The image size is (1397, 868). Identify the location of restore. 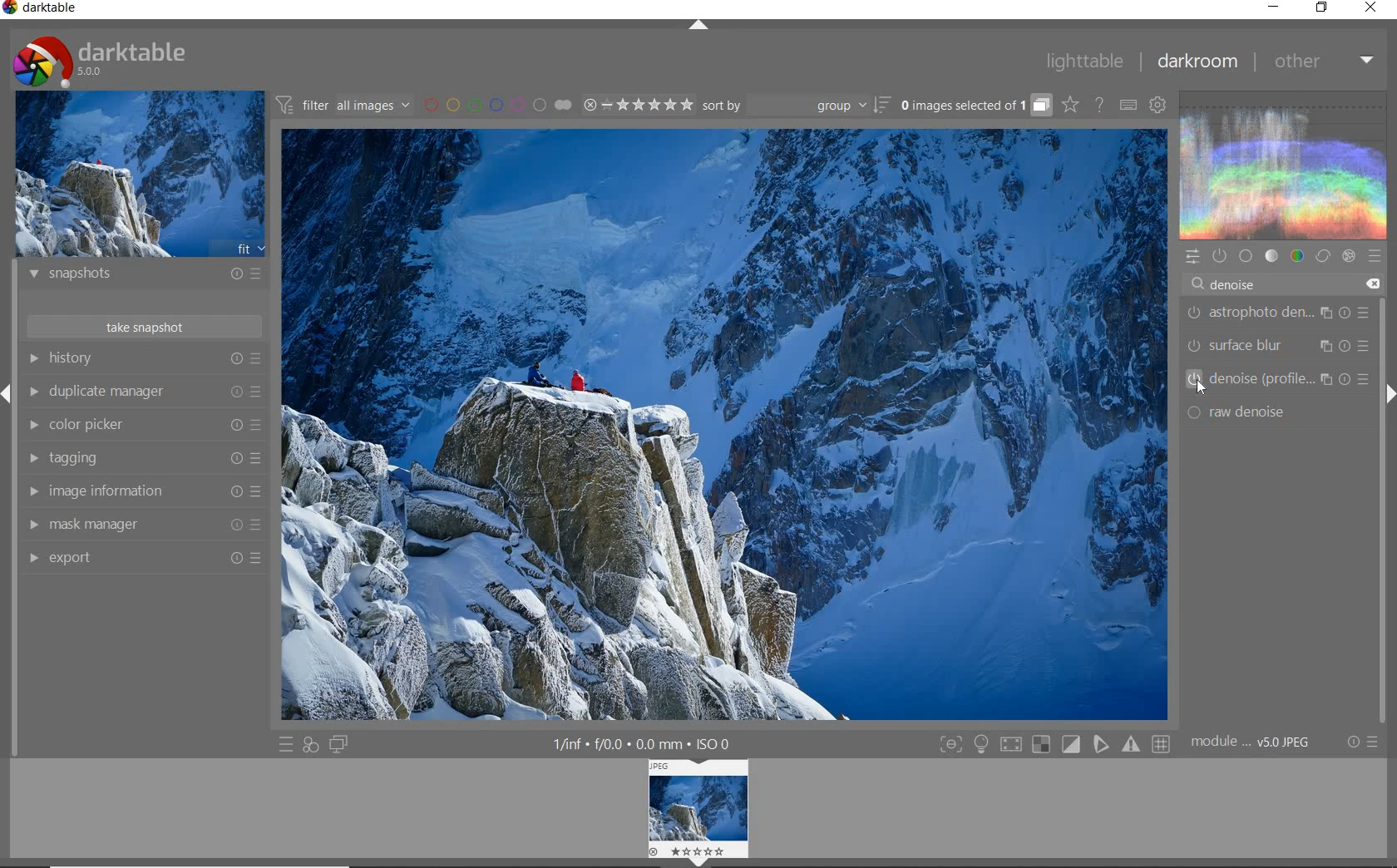
(1324, 9).